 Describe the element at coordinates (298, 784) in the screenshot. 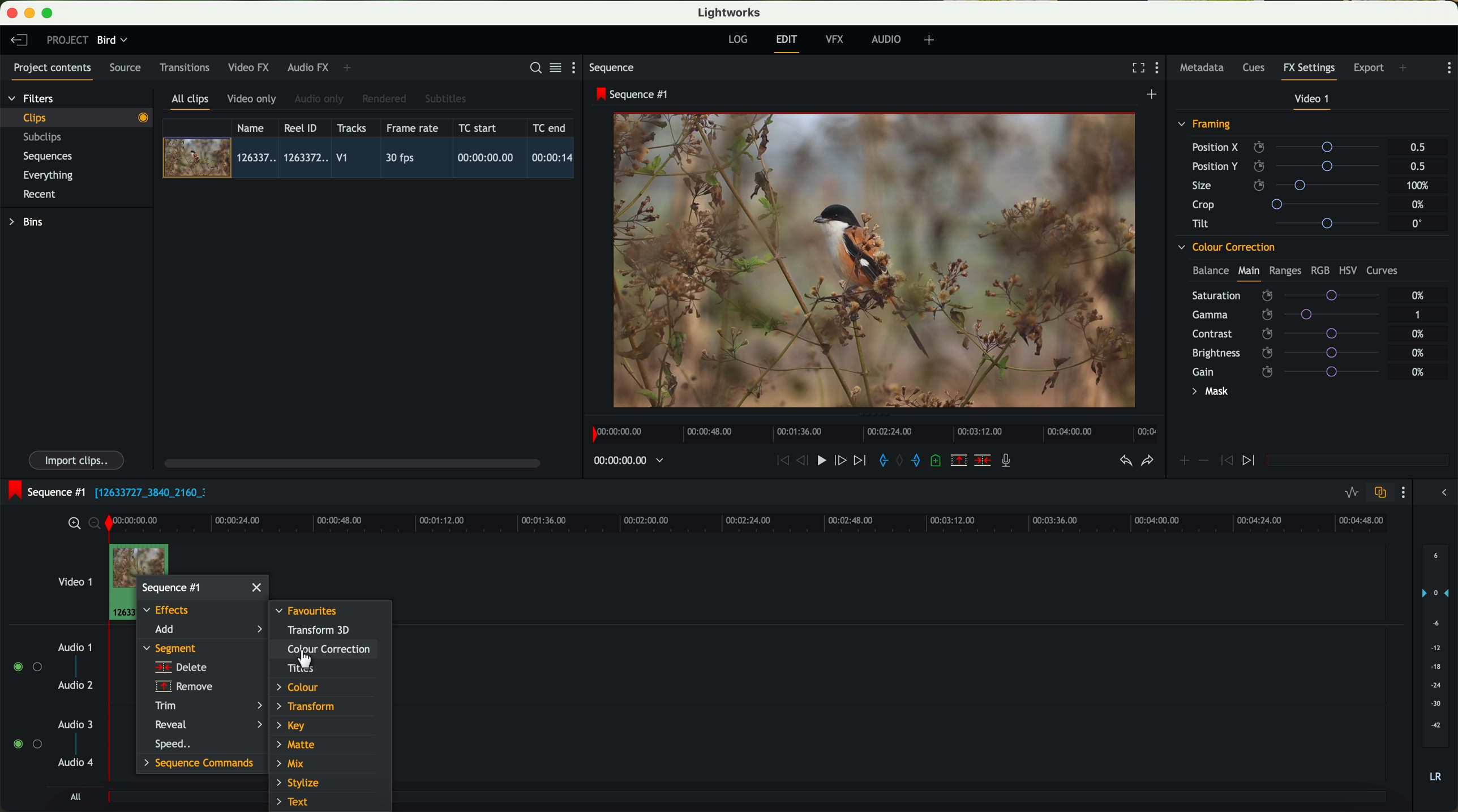

I see `stylize` at that location.